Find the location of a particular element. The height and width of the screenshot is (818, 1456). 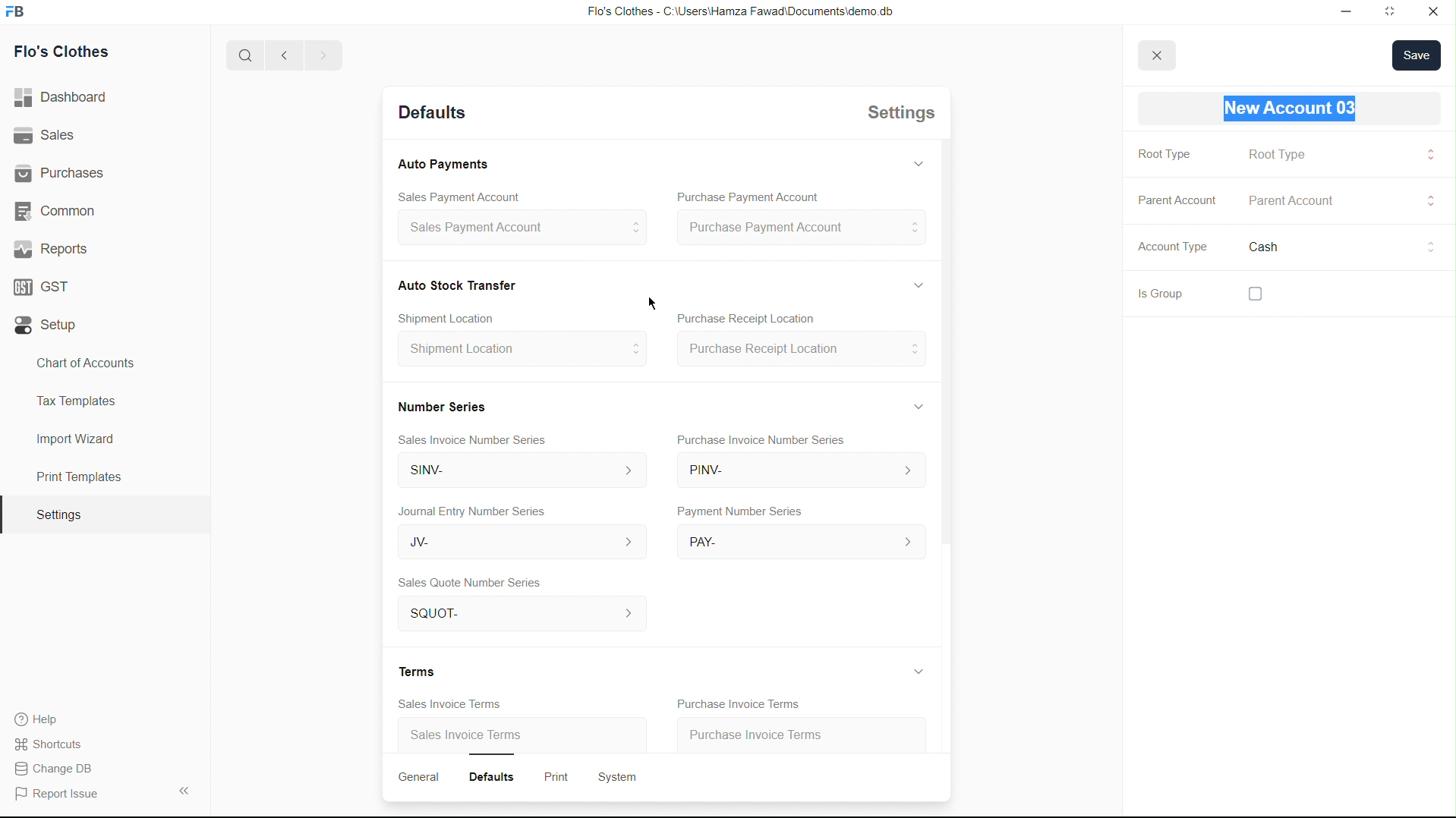

Chart of Accounts is located at coordinates (81, 363).